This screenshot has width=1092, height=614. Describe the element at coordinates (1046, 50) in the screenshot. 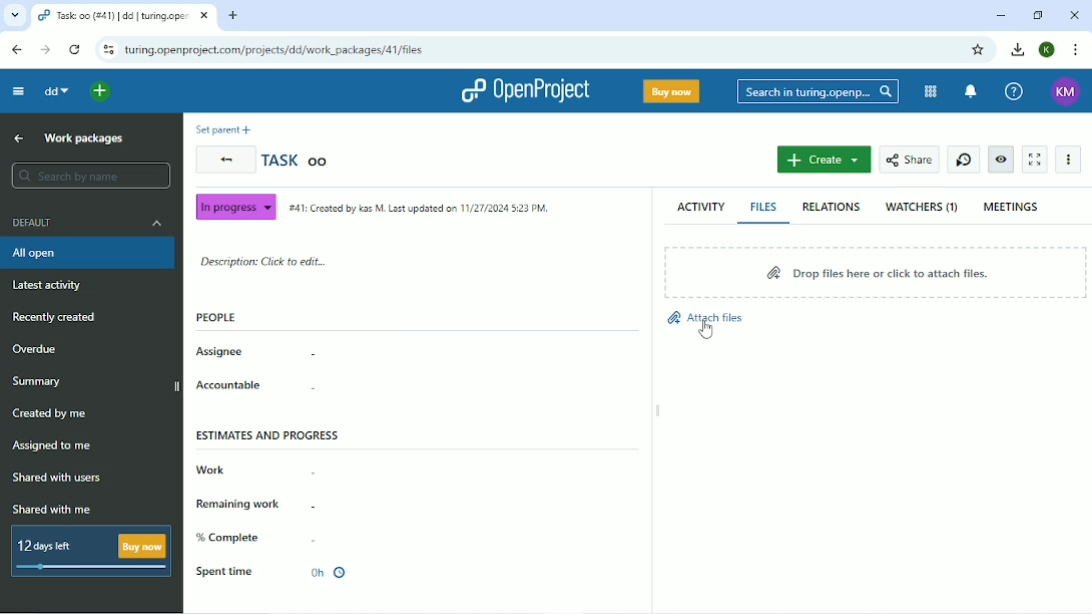

I see `K` at that location.